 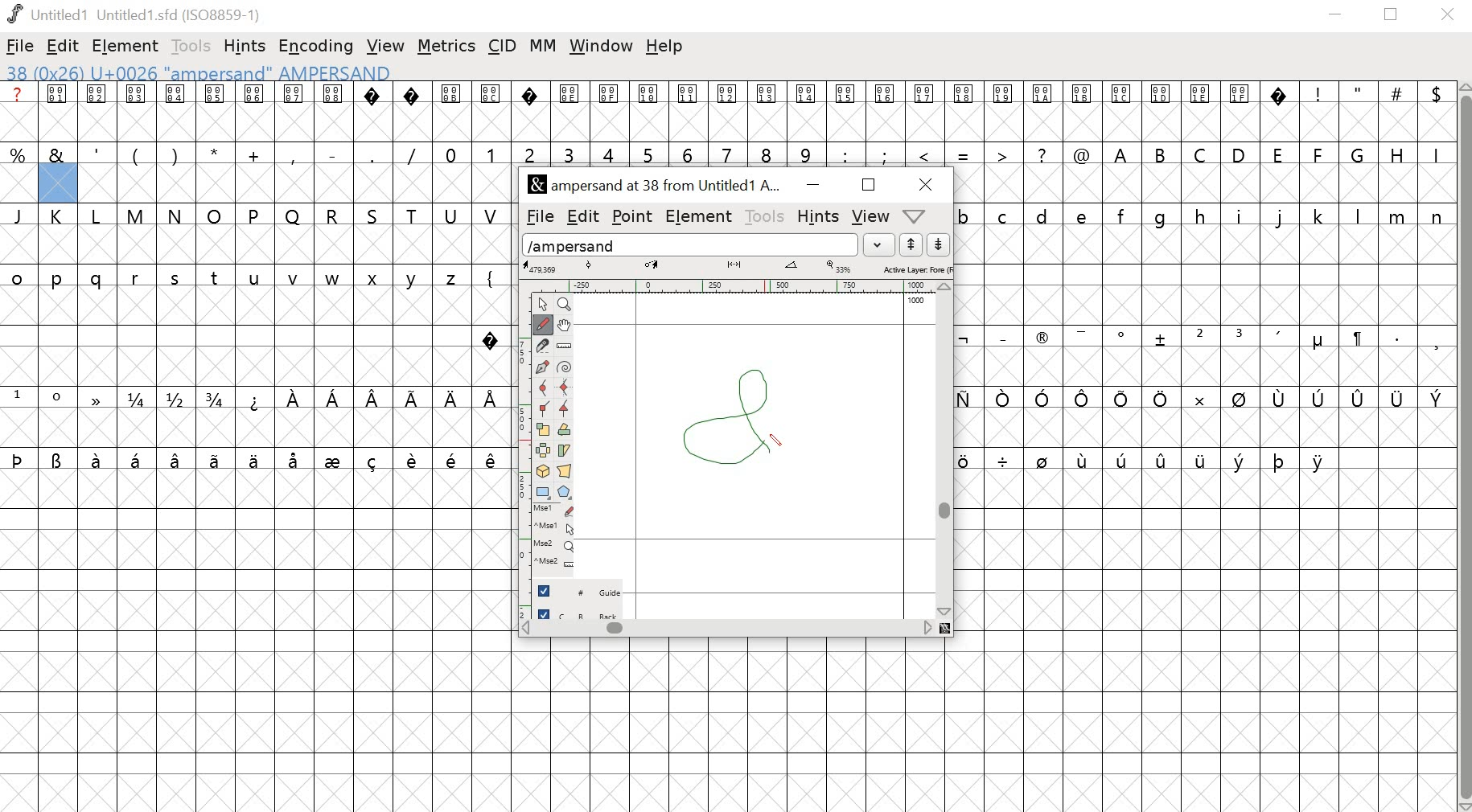 What do you see at coordinates (805, 154) in the screenshot?
I see `9` at bounding box center [805, 154].